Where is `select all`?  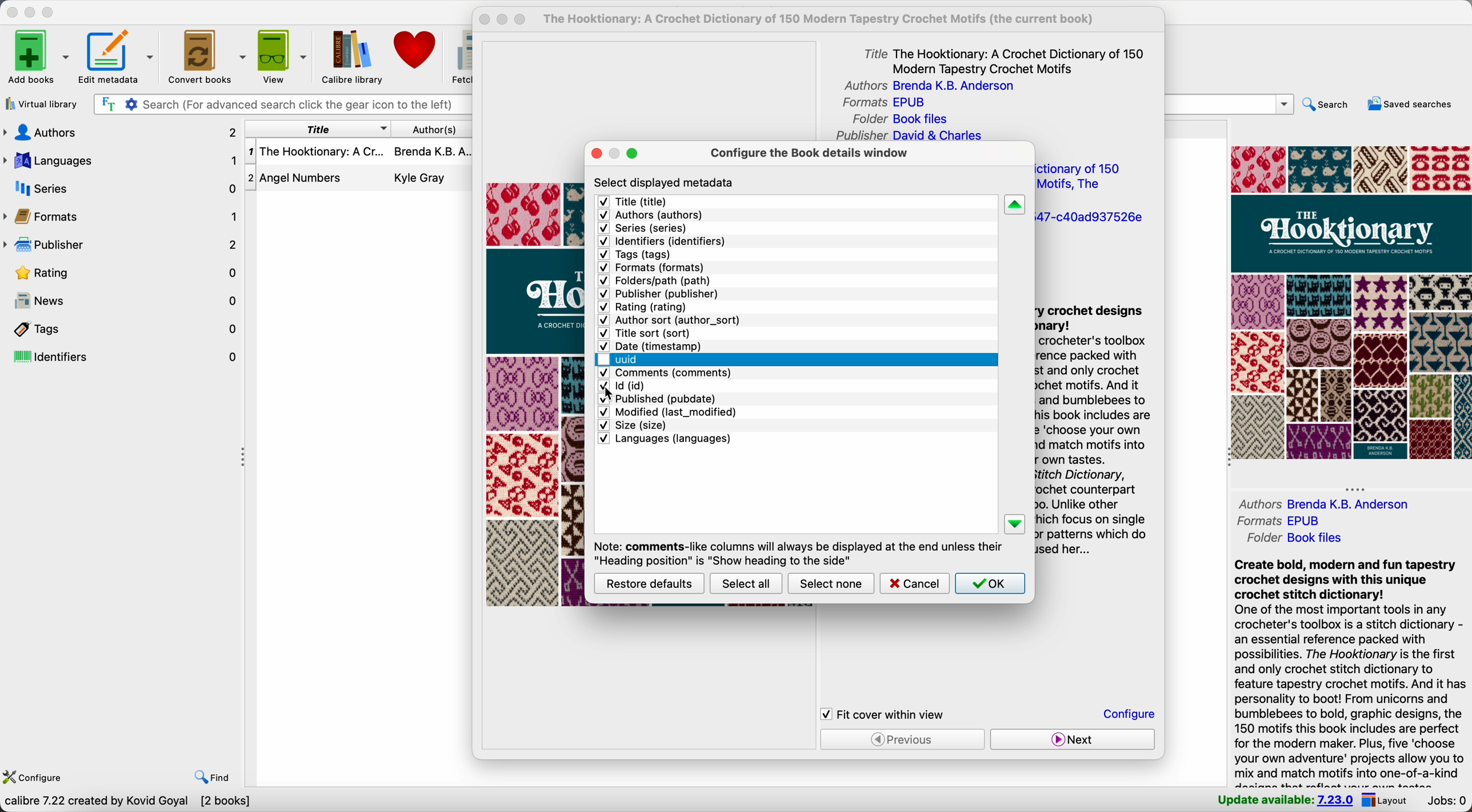
select all is located at coordinates (745, 583).